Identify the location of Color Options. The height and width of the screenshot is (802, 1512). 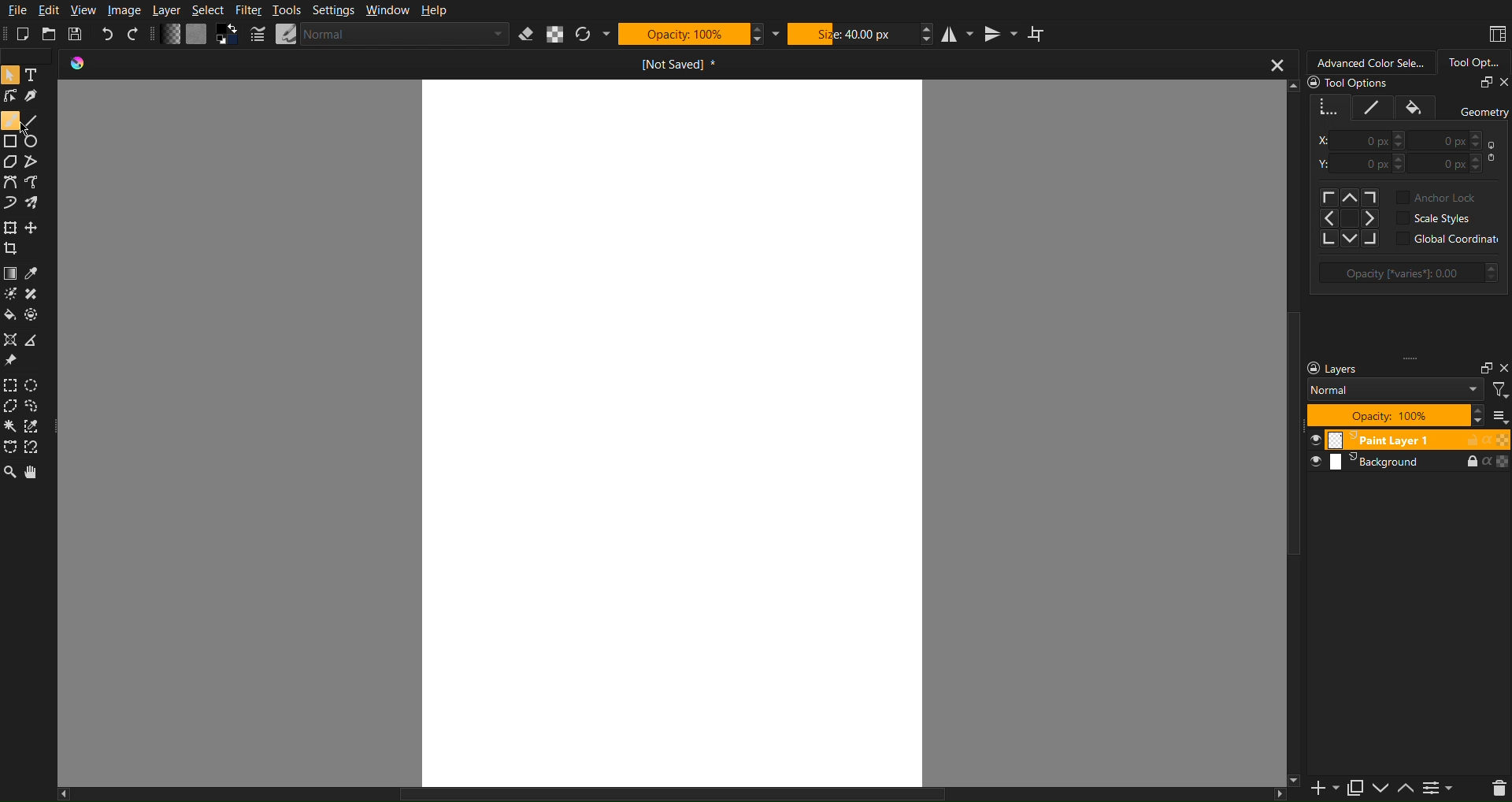
(9, 273).